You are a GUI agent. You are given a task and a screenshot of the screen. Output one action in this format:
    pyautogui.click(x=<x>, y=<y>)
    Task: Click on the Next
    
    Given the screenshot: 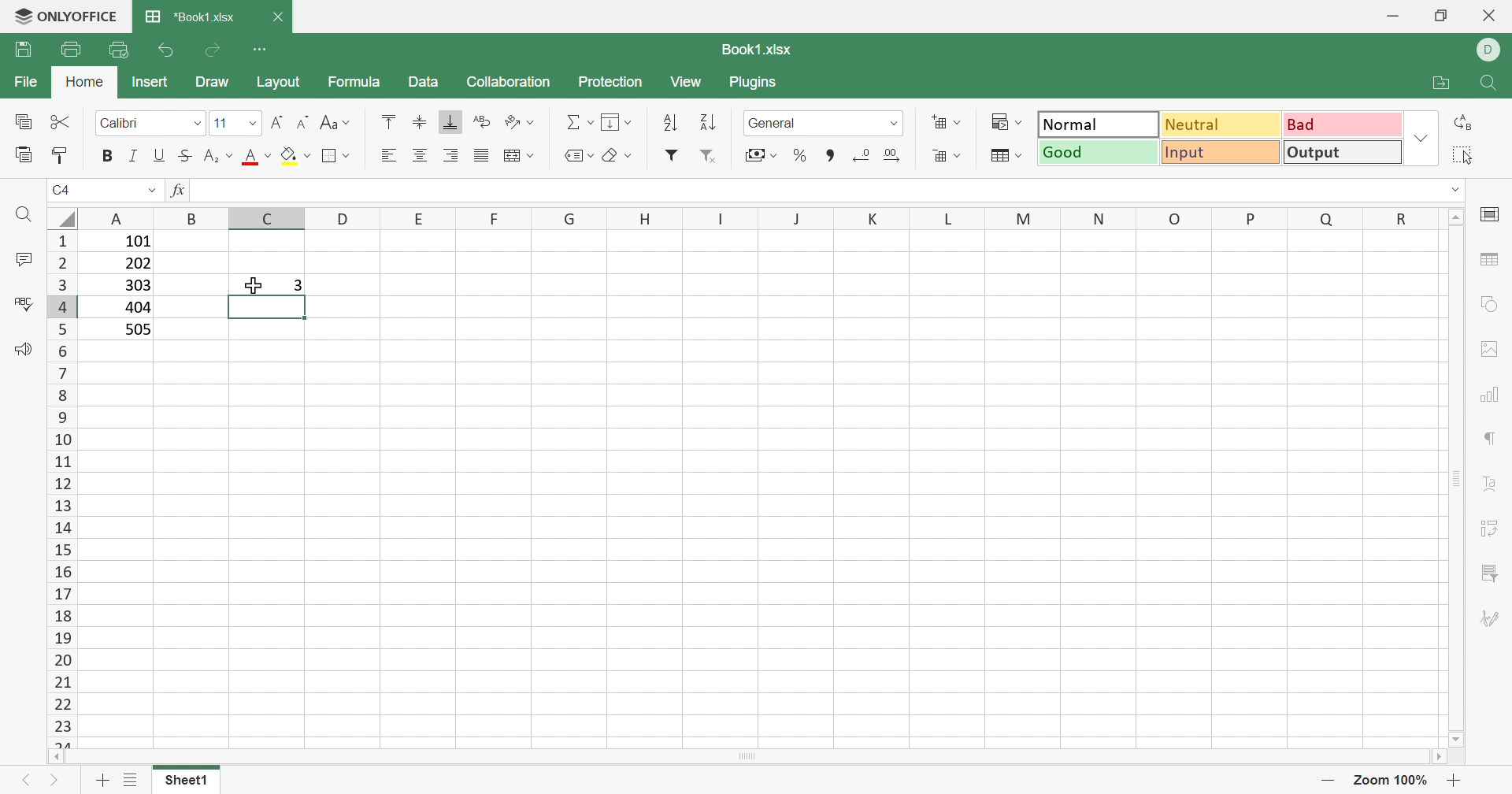 What is the action you would take?
    pyautogui.click(x=55, y=783)
    